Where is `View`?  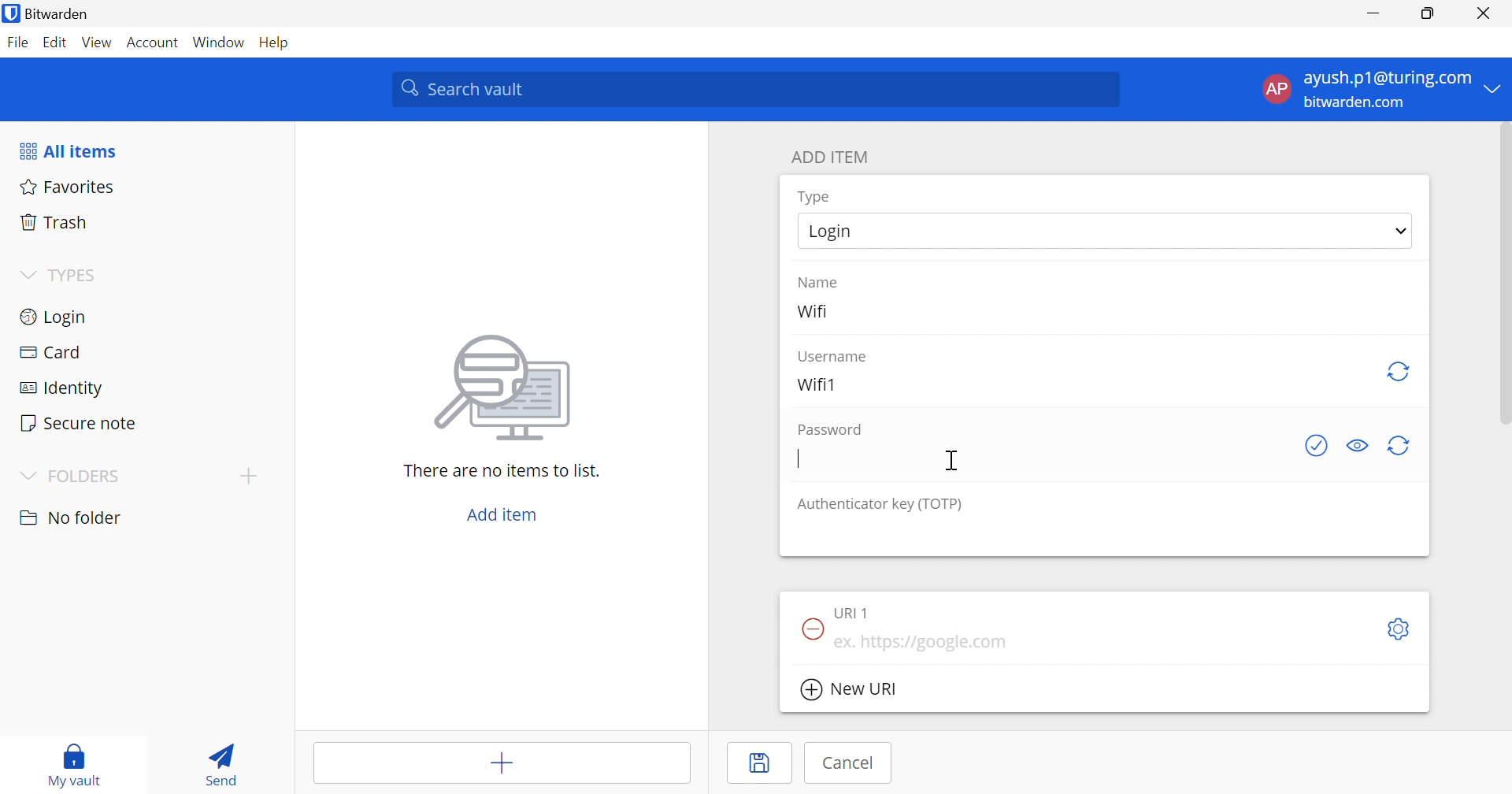 View is located at coordinates (96, 42).